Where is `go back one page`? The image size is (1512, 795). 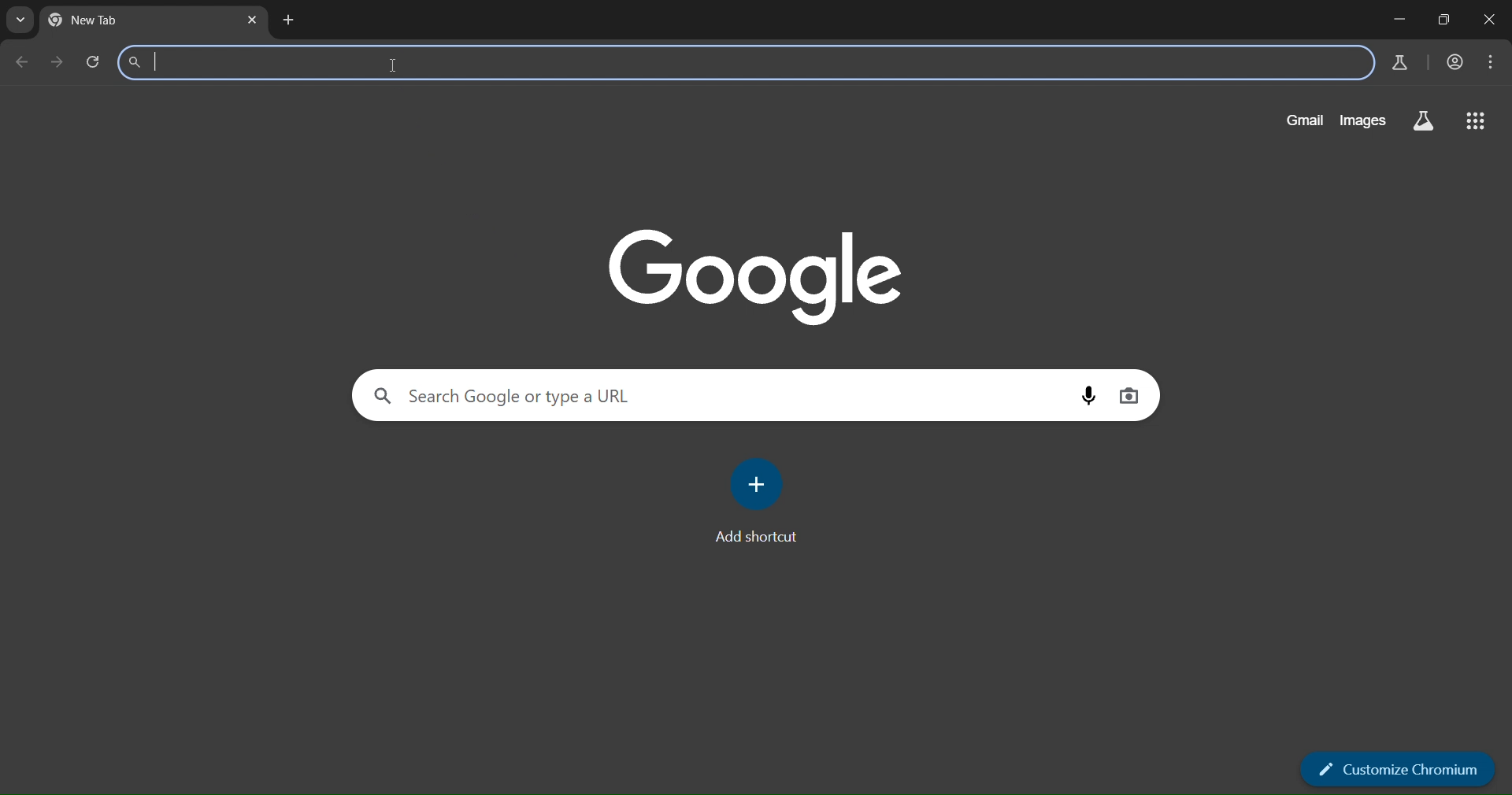 go back one page is located at coordinates (21, 64).